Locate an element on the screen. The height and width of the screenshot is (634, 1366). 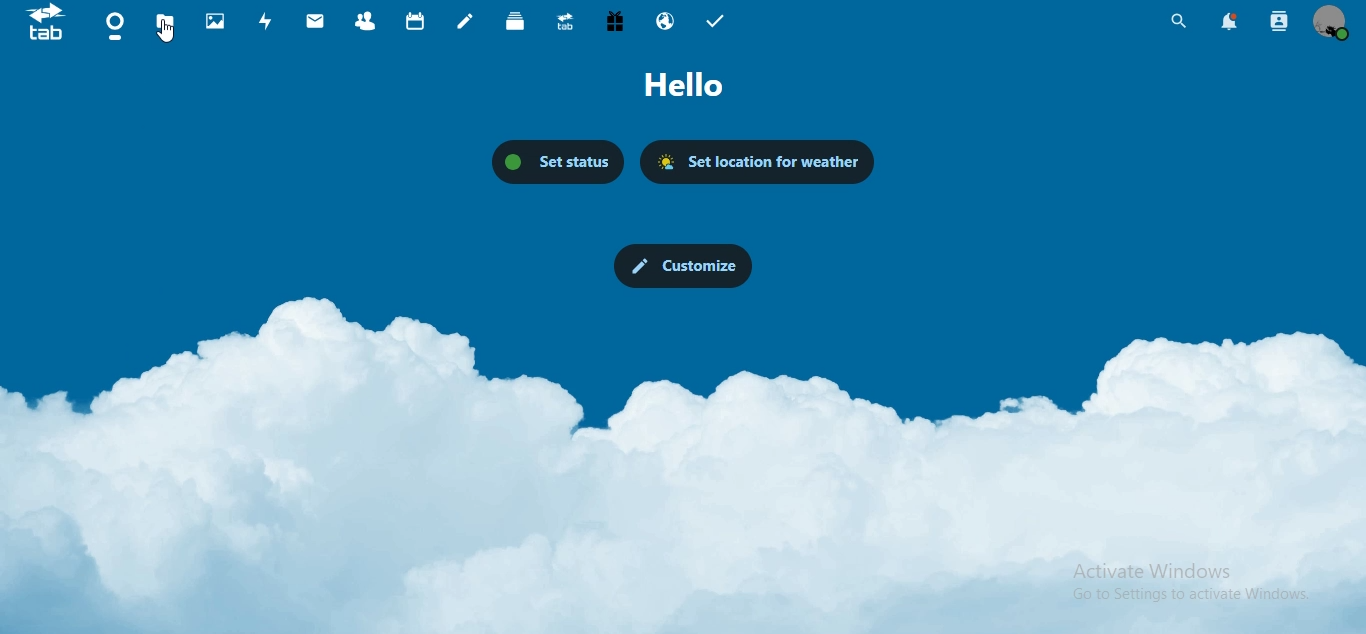
files is located at coordinates (166, 22).